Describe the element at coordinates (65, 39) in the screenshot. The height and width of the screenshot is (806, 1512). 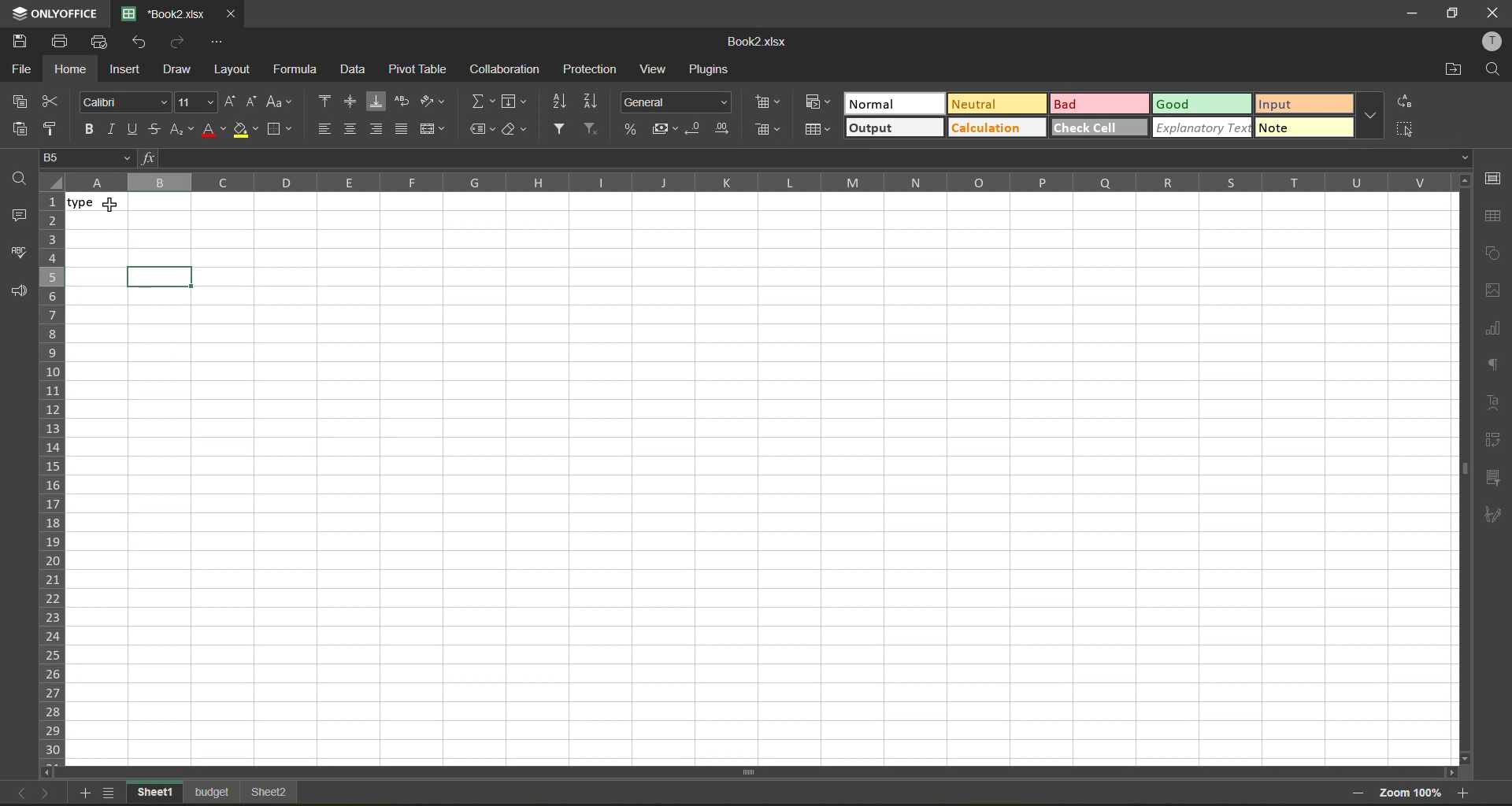
I see `print` at that location.